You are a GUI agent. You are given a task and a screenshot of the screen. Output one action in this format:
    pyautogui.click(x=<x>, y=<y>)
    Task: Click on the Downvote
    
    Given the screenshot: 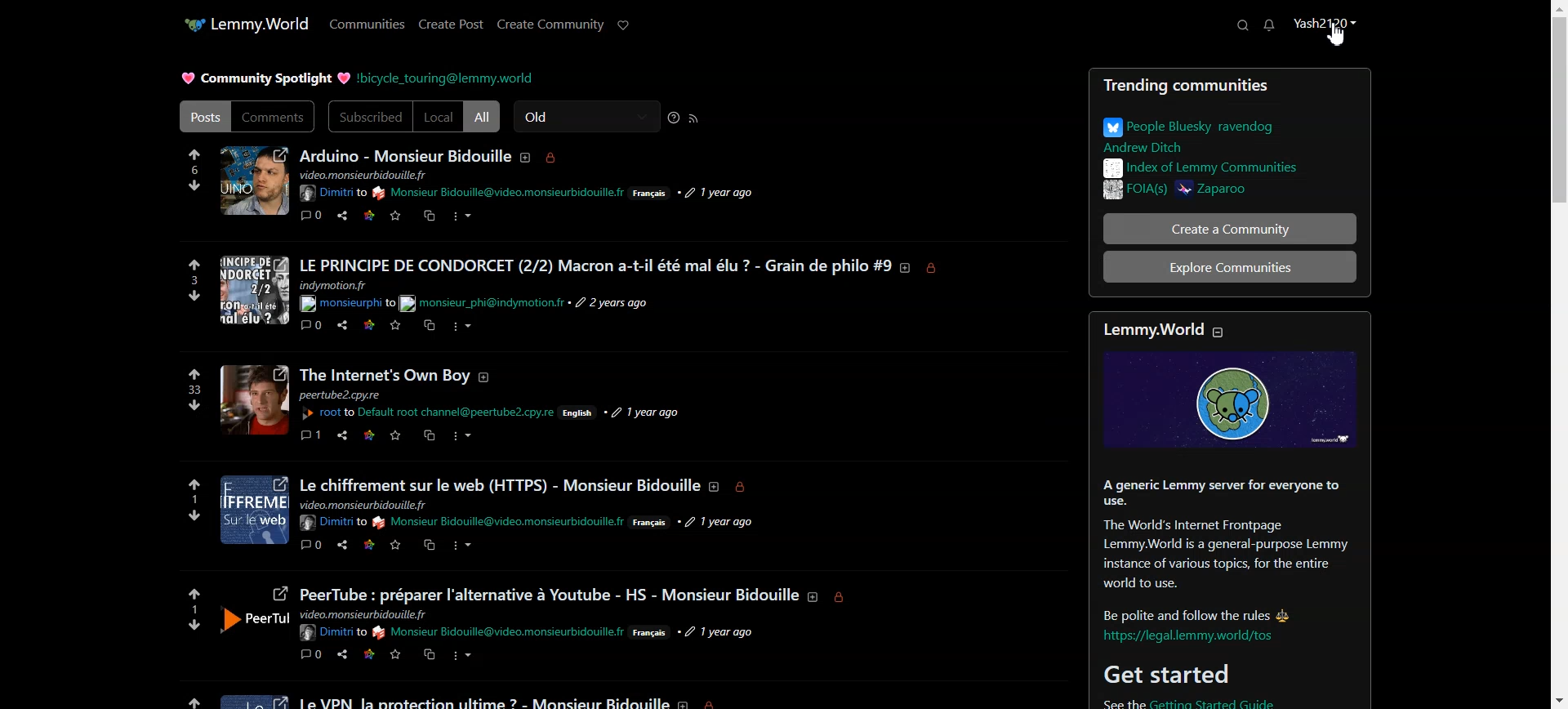 What is the action you would take?
    pyautogui.click(x=197, y=185)
    